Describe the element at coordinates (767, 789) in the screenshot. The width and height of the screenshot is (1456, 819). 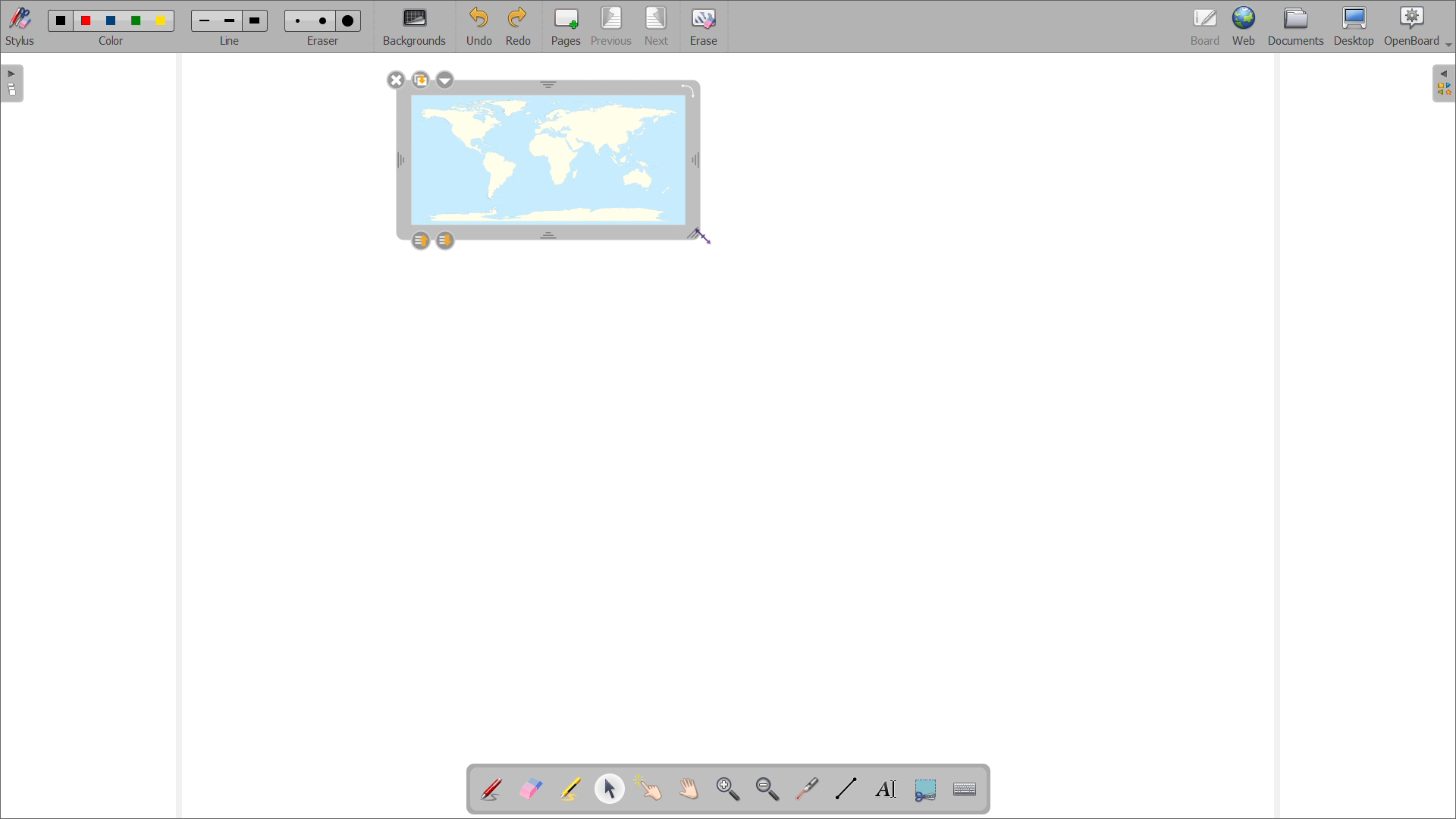
I see `zoom out` at that location.